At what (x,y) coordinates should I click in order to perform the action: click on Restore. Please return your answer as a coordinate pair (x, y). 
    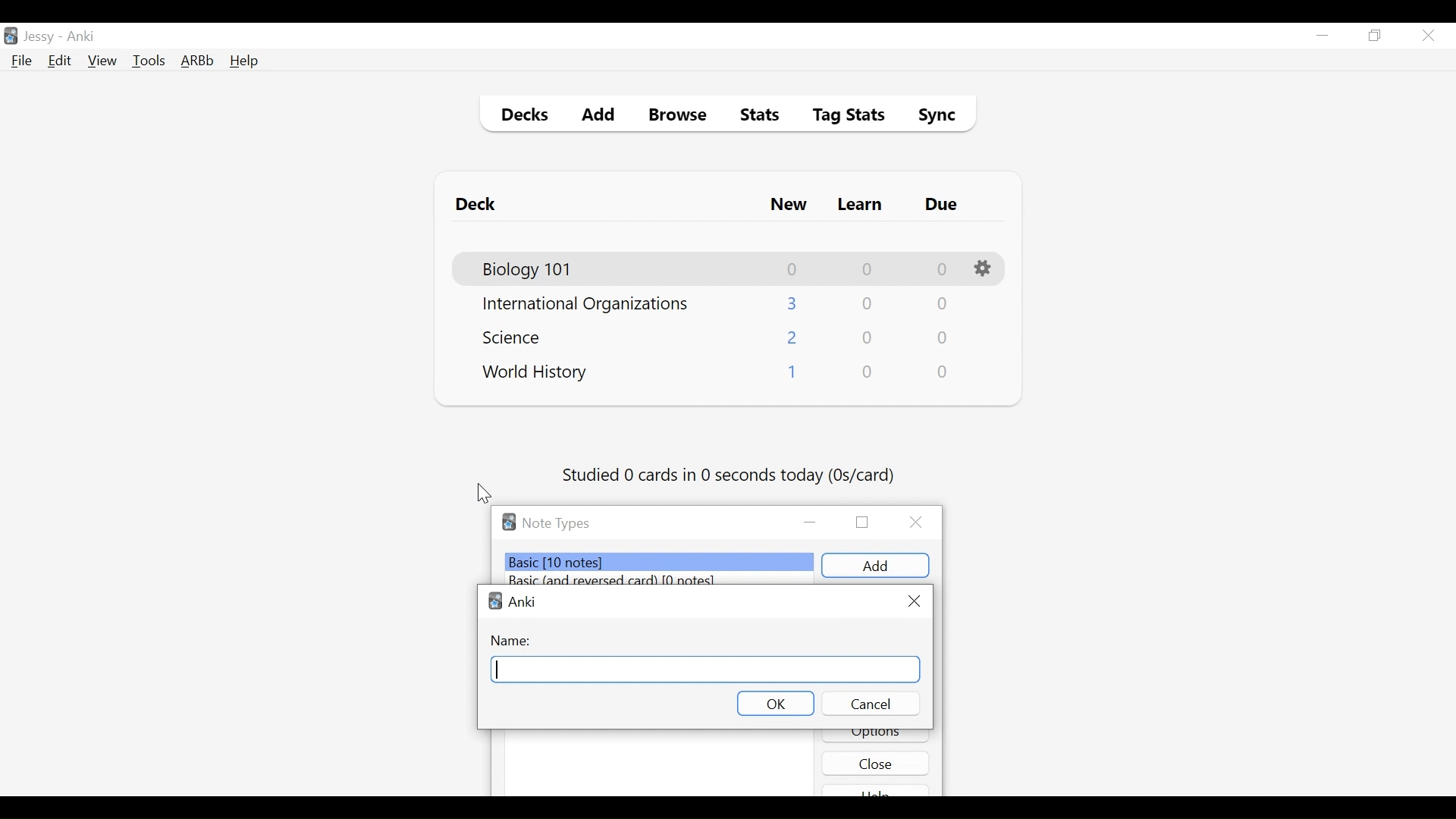
    Looking at the image, I should click on (1376, 36).